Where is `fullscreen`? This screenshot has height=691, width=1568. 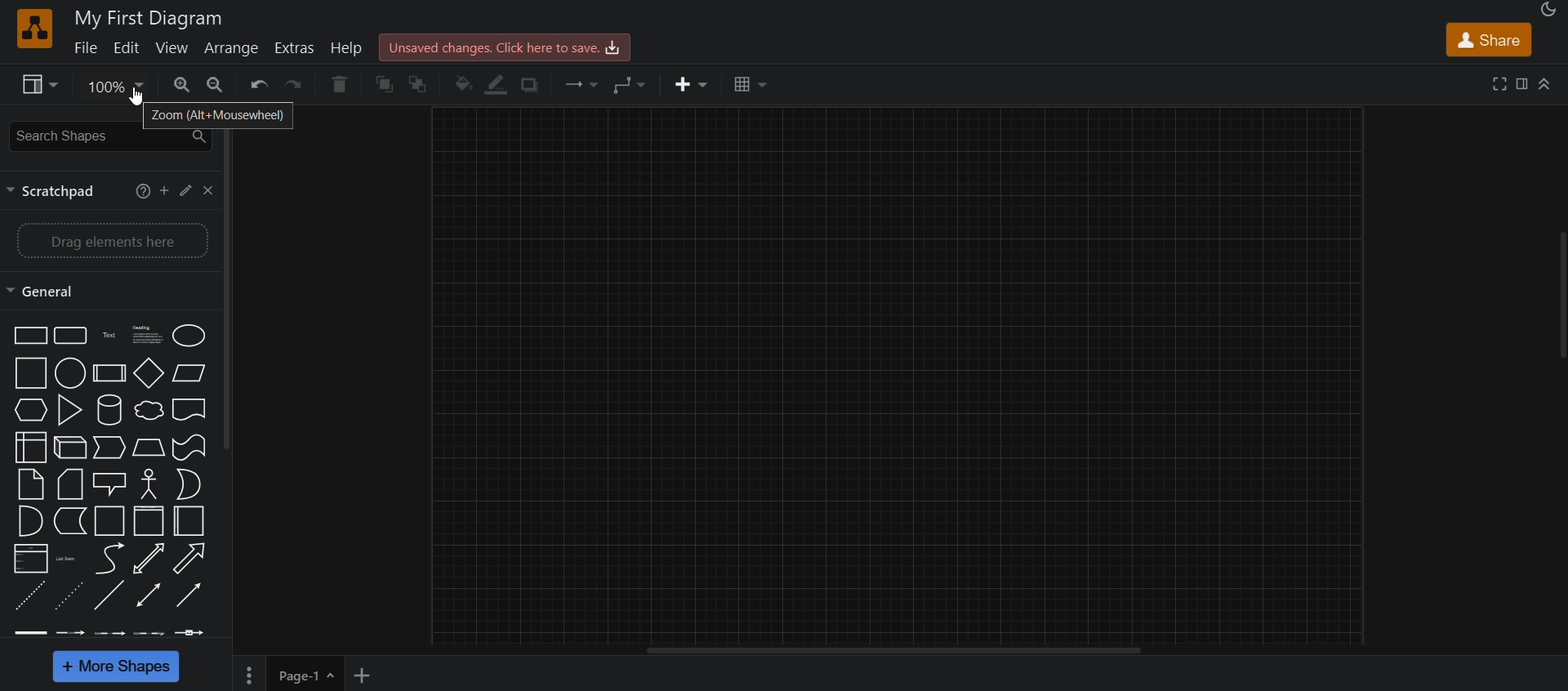
fullscreen is located at coordinates (1496, 82).